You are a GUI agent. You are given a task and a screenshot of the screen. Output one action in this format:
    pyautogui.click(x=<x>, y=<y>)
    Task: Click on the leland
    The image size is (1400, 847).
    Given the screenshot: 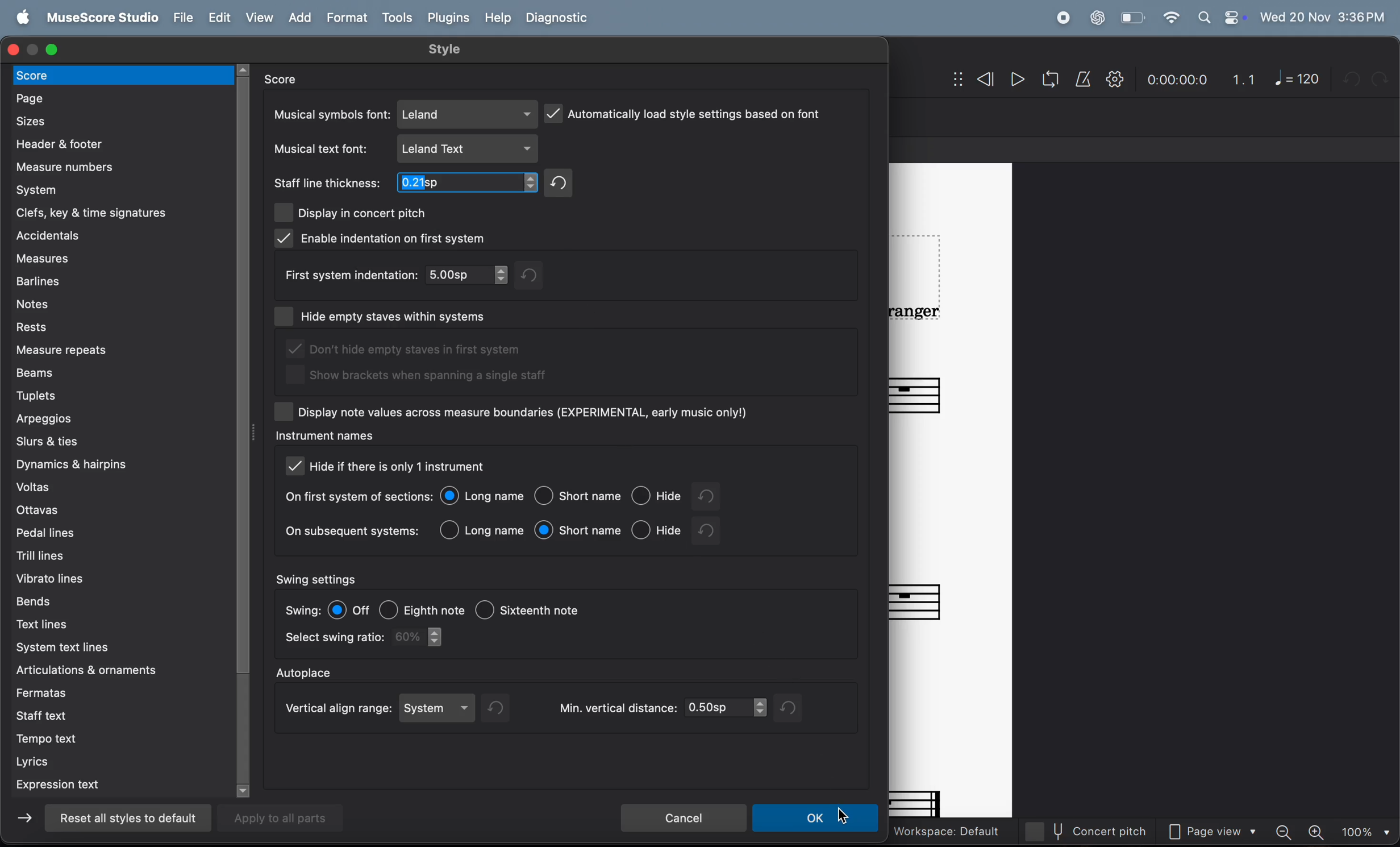 What is the action you would take?
    pyautogui.click(x=468, y=114)
    